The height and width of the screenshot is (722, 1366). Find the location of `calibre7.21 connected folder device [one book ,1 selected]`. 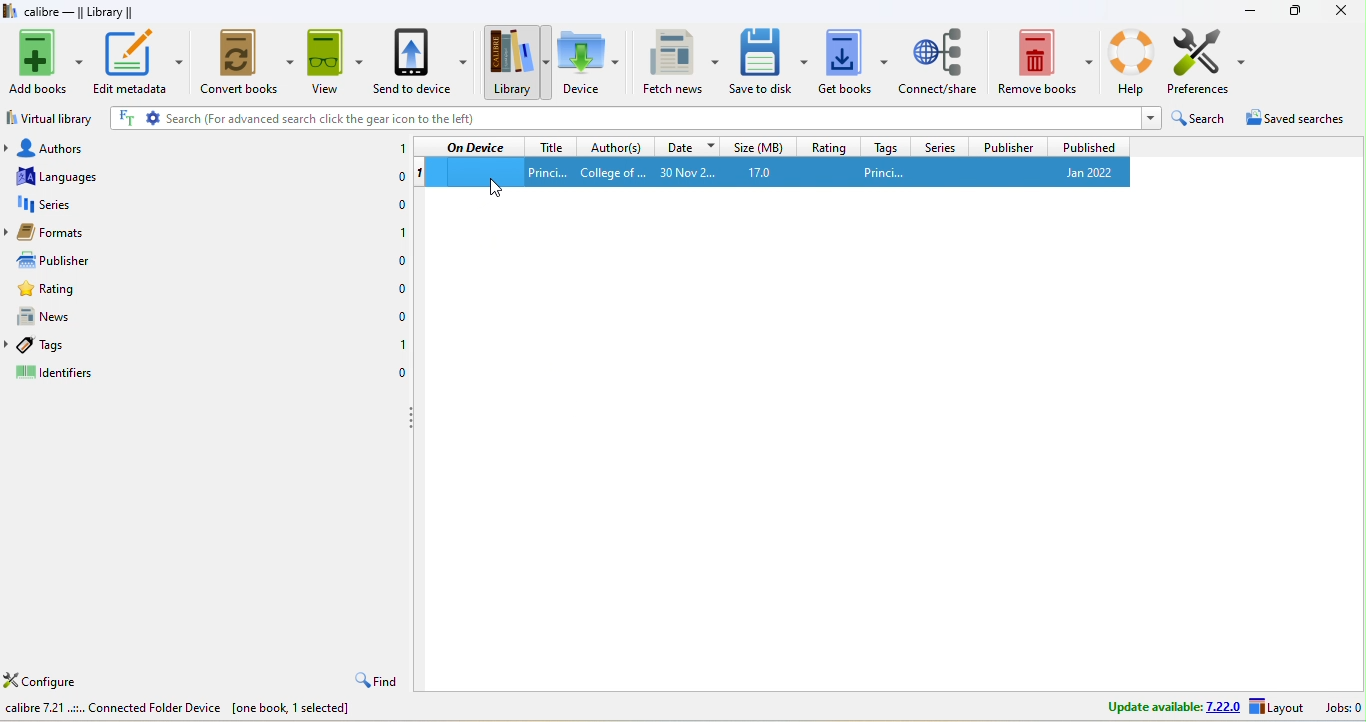

calibre7.21 connected folder device [one book ,1 selected] is located at coordinates (182, 711).